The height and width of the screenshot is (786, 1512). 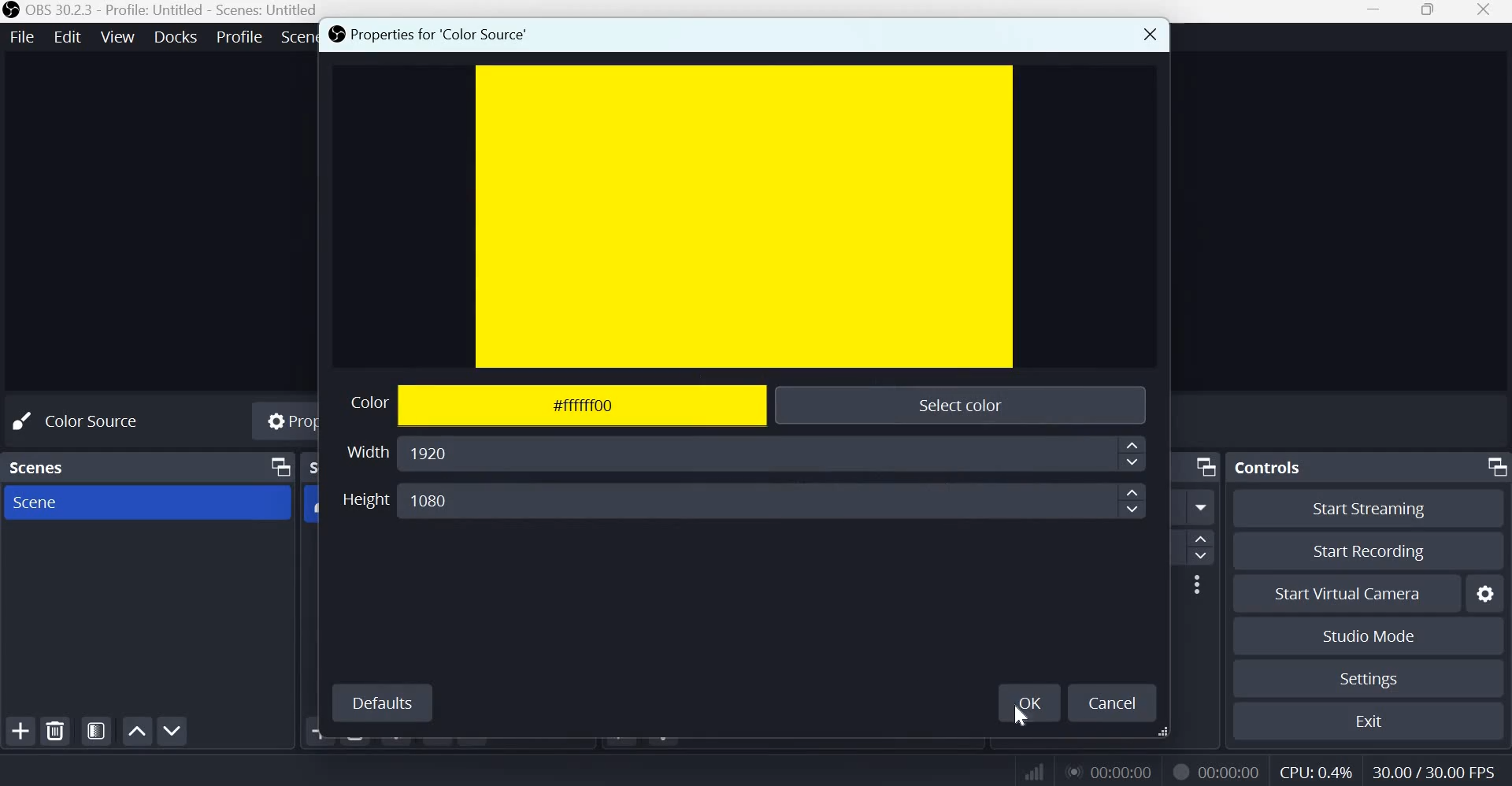 I want to click on Move scene up, so click(x=136, y=731).